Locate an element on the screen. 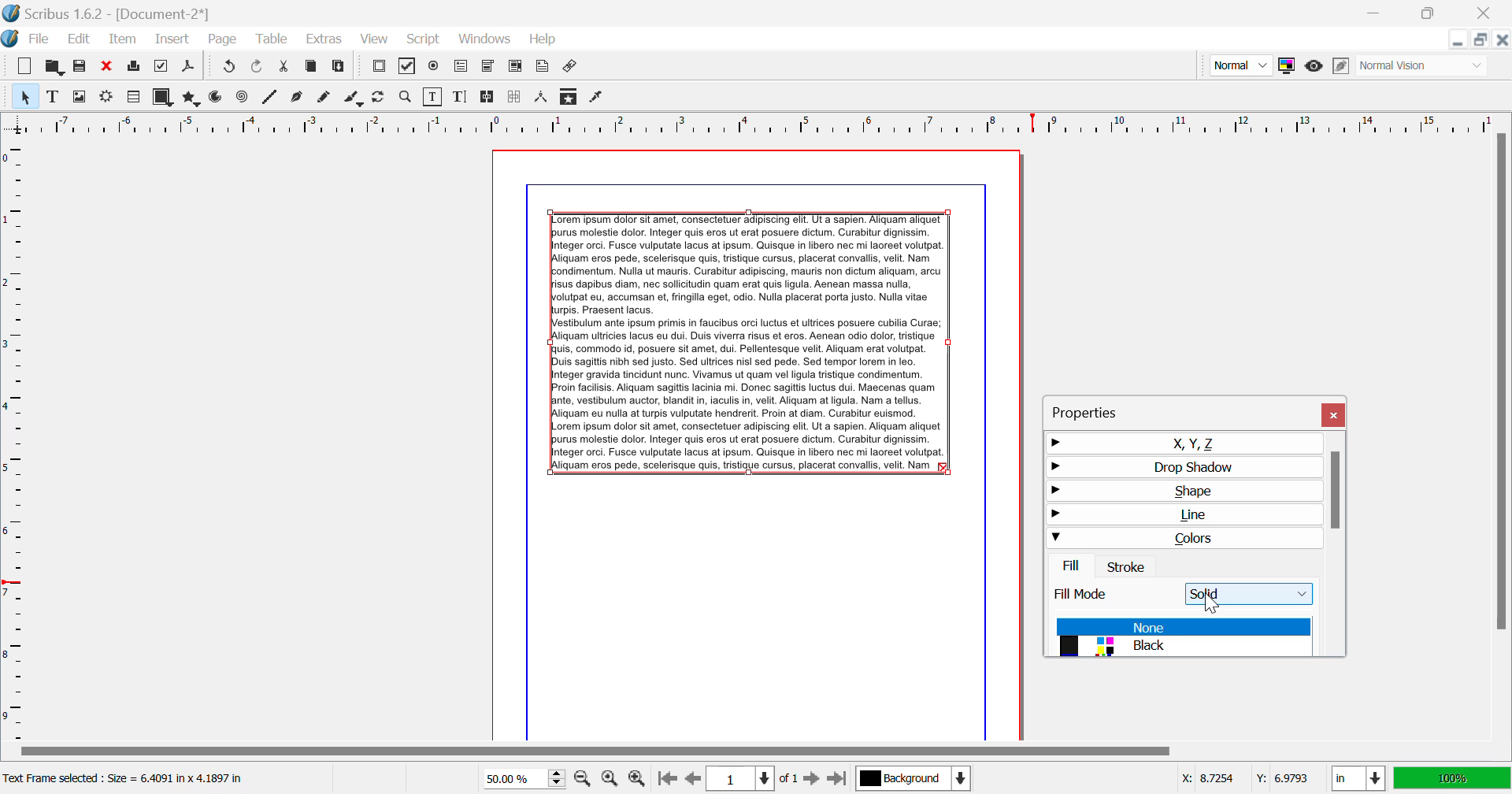 This screenshot has width=1512, height=794. Save is located at coordinates (80, 66).